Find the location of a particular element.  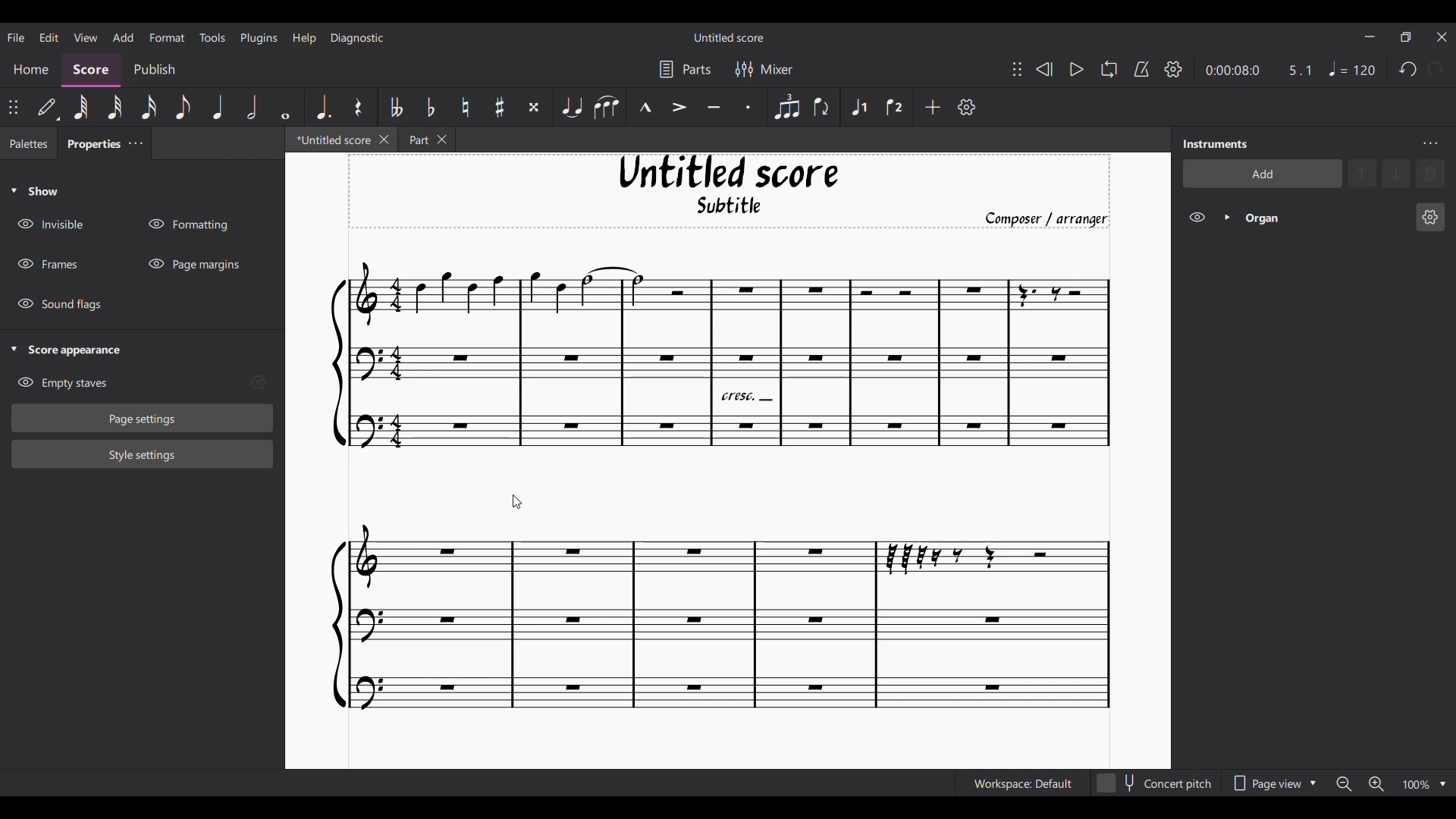

Staccato is located at coordinates (749, 107).